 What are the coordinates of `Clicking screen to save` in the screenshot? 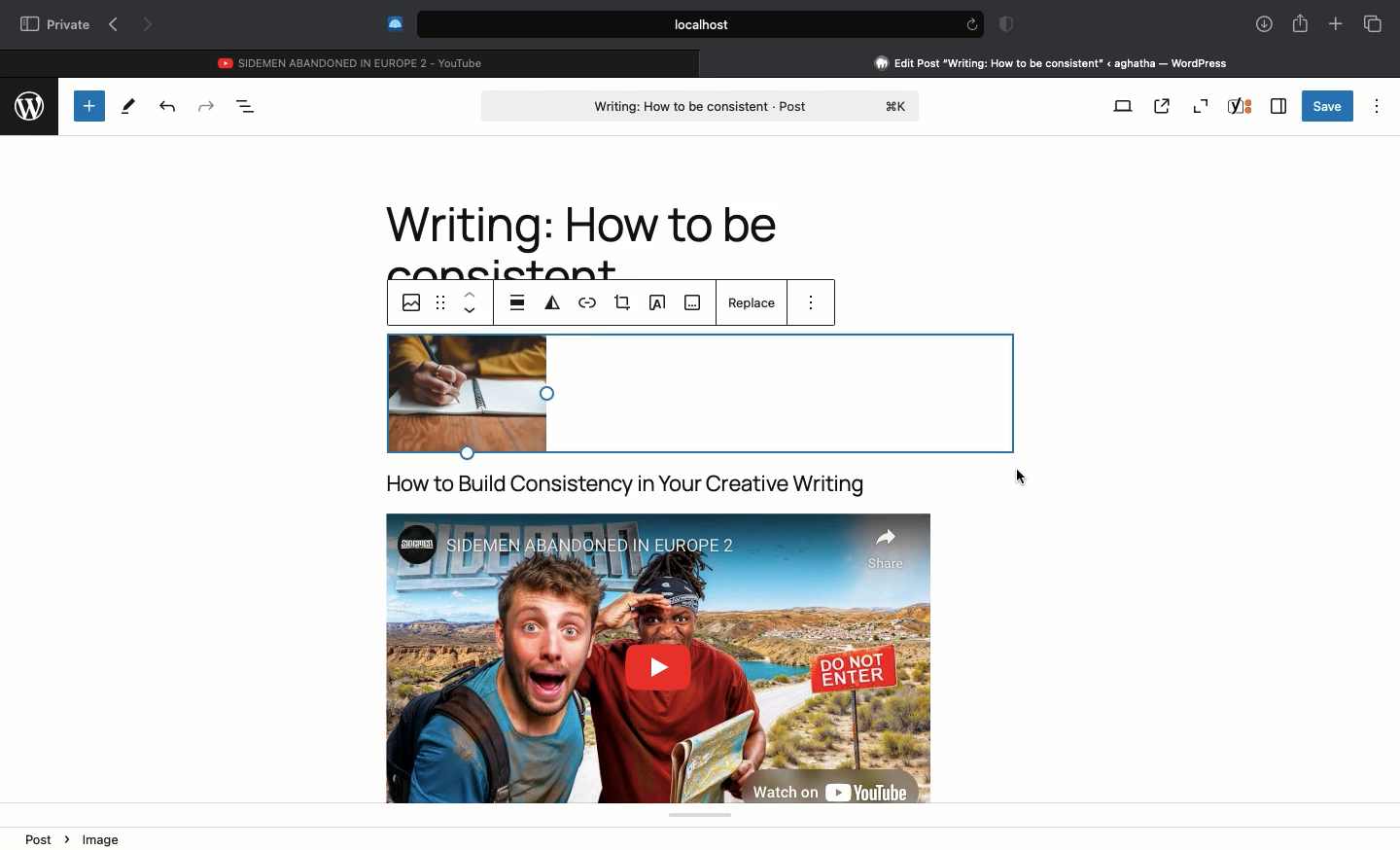 It's located at (1023, 482).